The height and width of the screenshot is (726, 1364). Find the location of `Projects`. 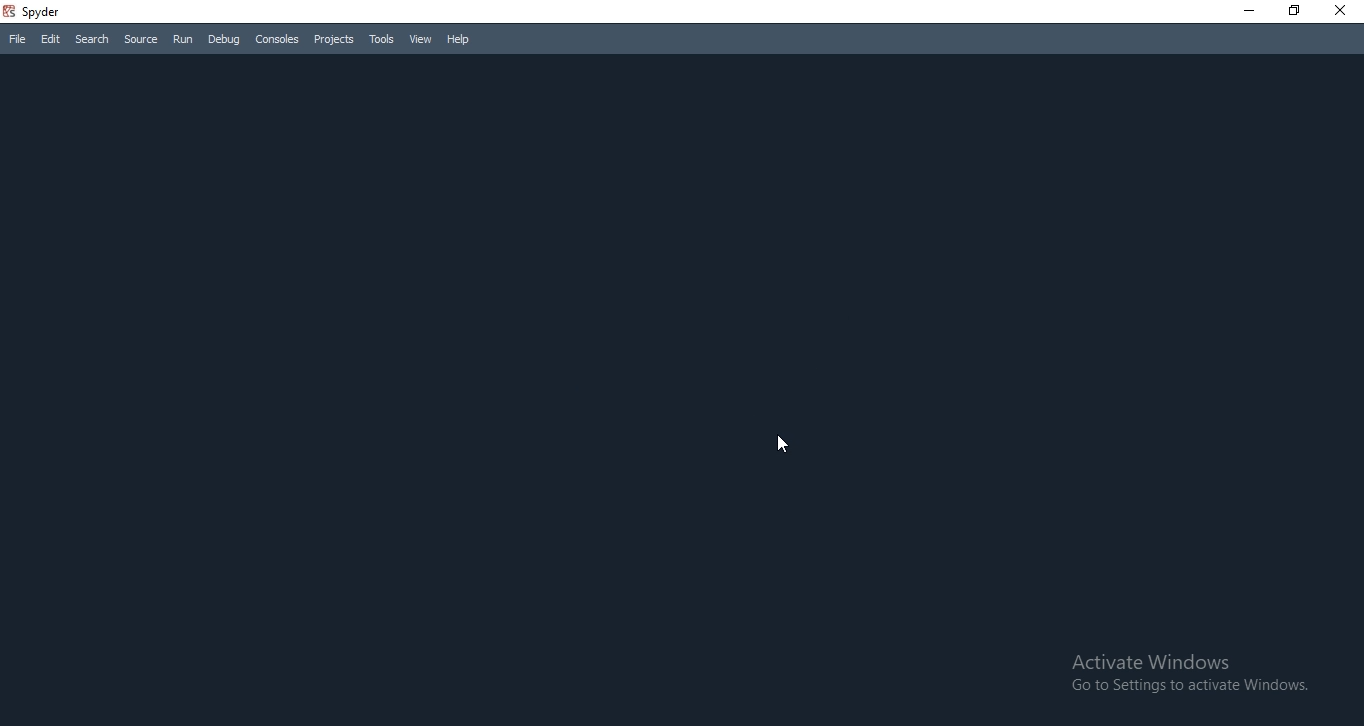

Projects is located at coordinates (332, 39).